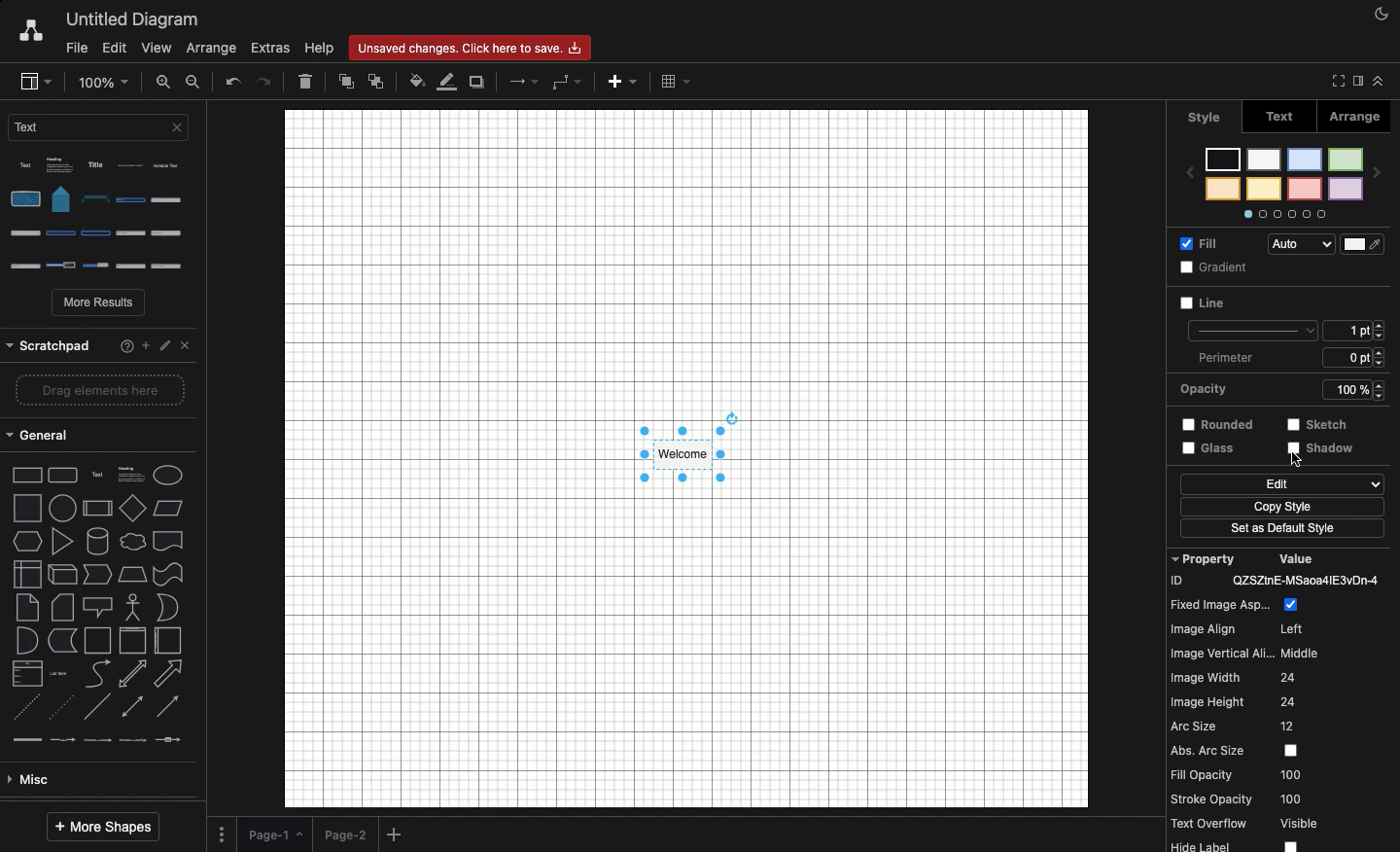 The height and width of the screenshot is (852, 1400). What do you see at coordinates (232, 83) in the screenshot?
I see `Undo` at bounding box center [232, 83].